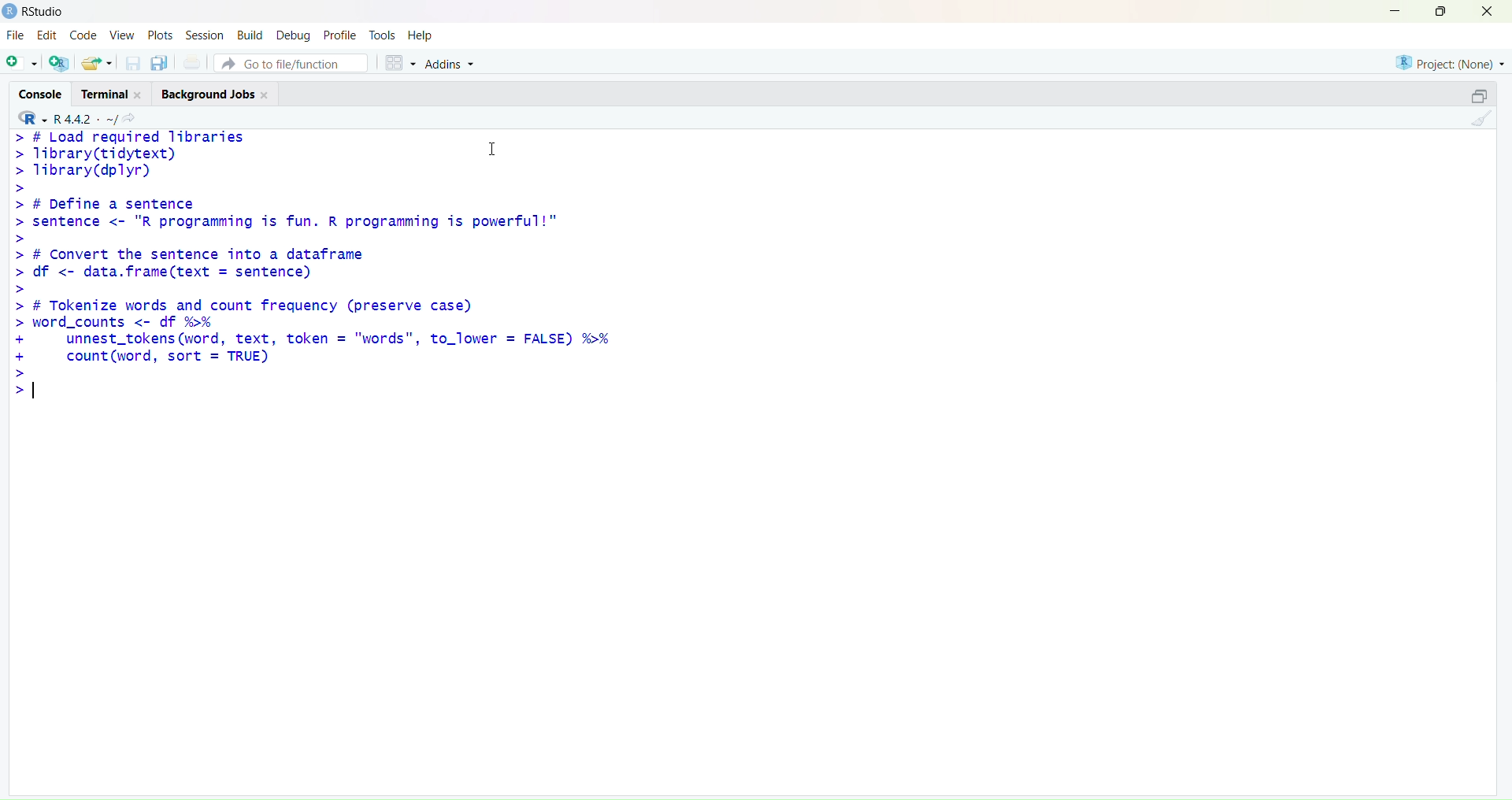 The height and width of the screenshot is (800, 1512). What do you see at coordinates (36, 388) in the screenshot?
I see `text cursor` at bounding box center [36, 388].